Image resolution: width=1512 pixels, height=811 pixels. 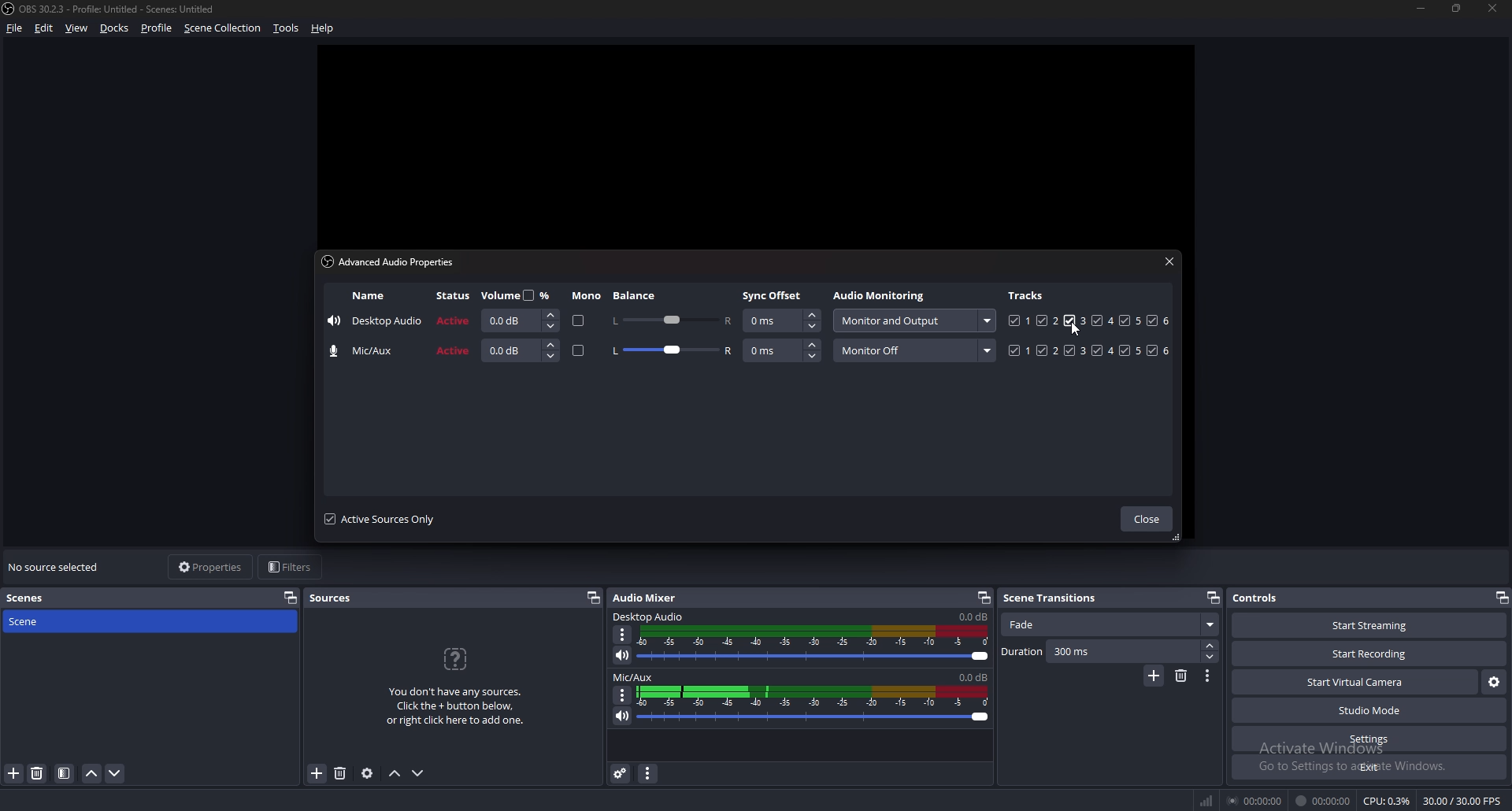 I want to click on mute, so click(x=623, y=655).